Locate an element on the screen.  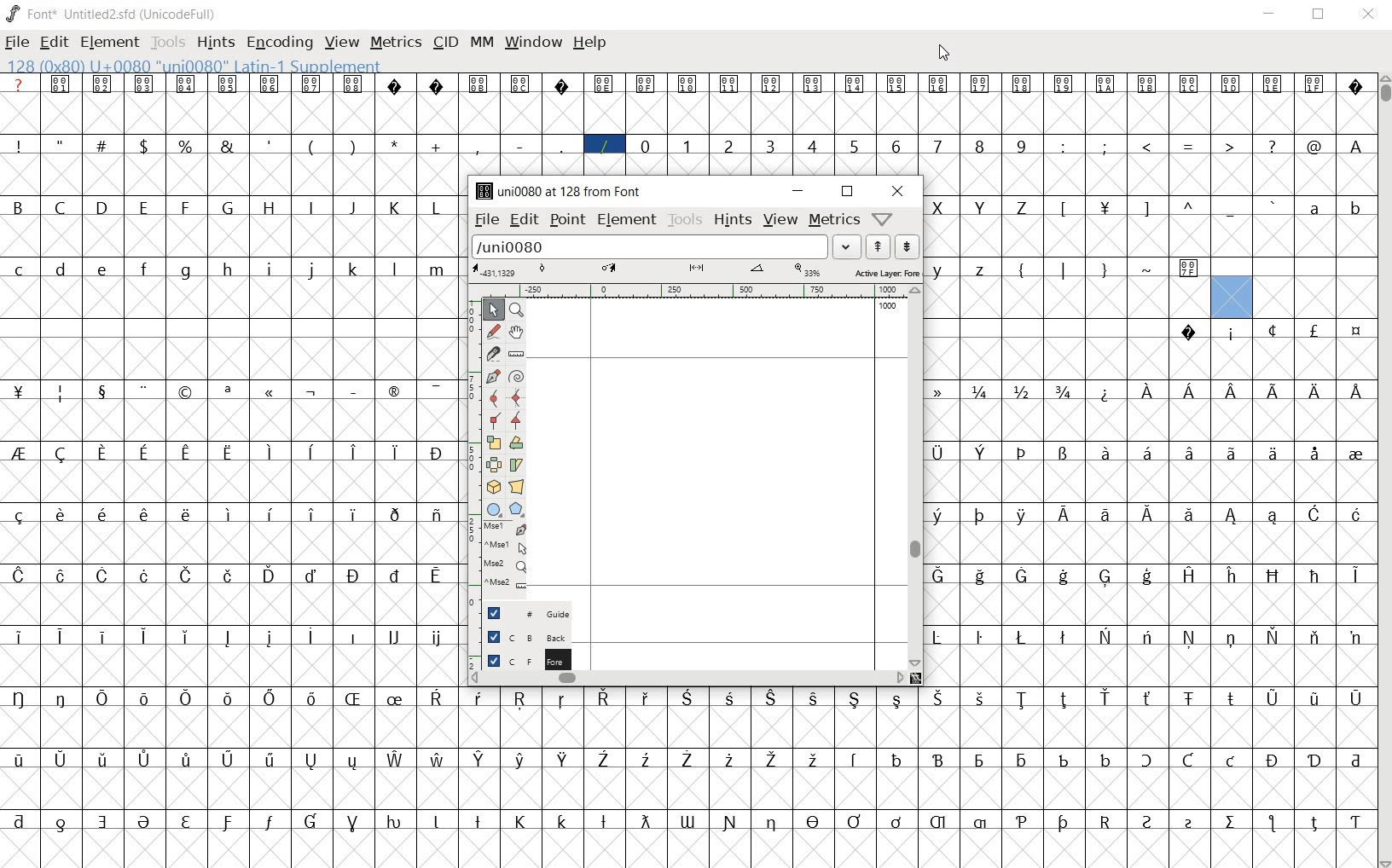
glyph is located at coordinates (355, 637).